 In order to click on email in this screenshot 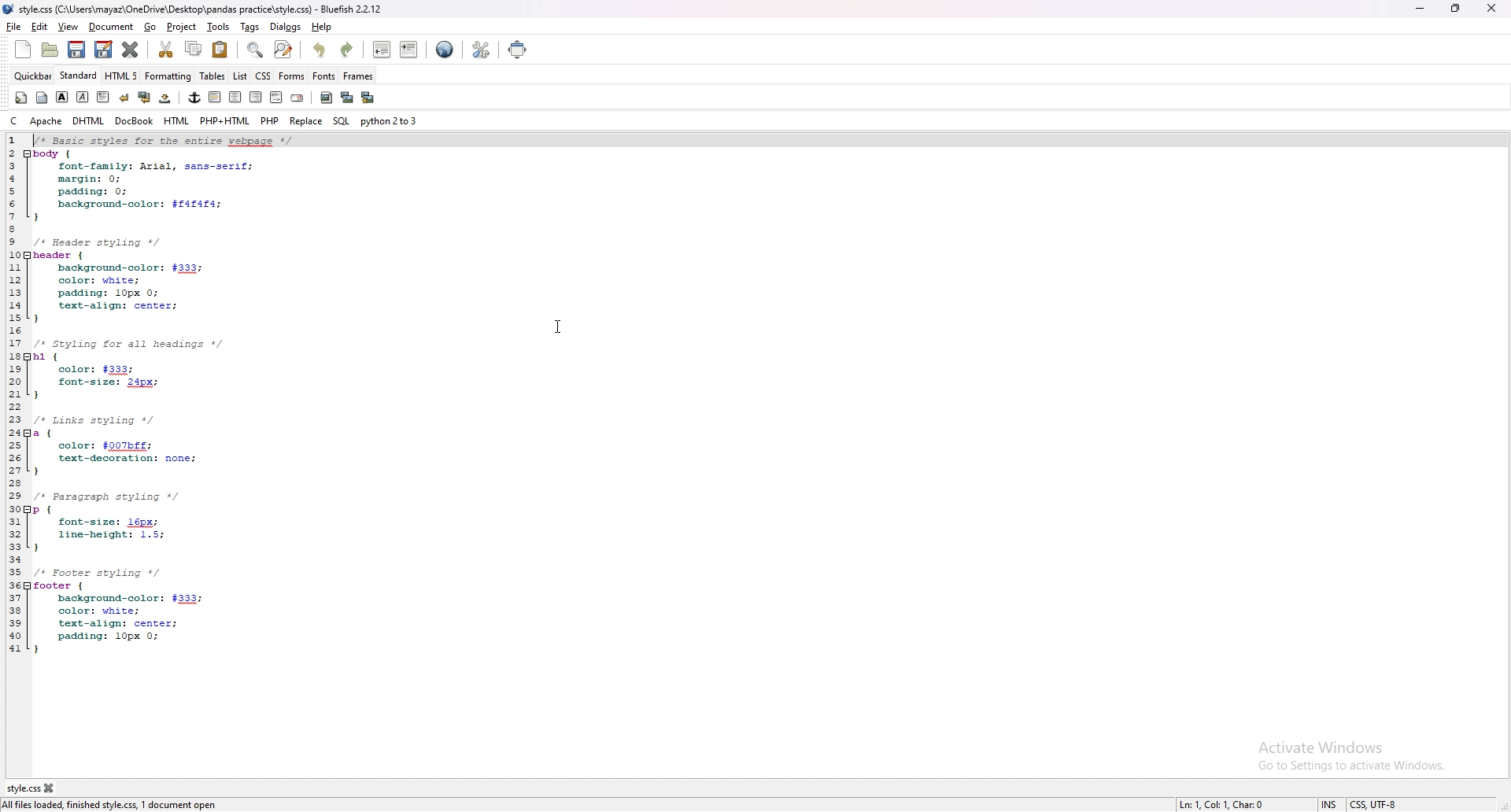, I will do `click(298, 98)`.